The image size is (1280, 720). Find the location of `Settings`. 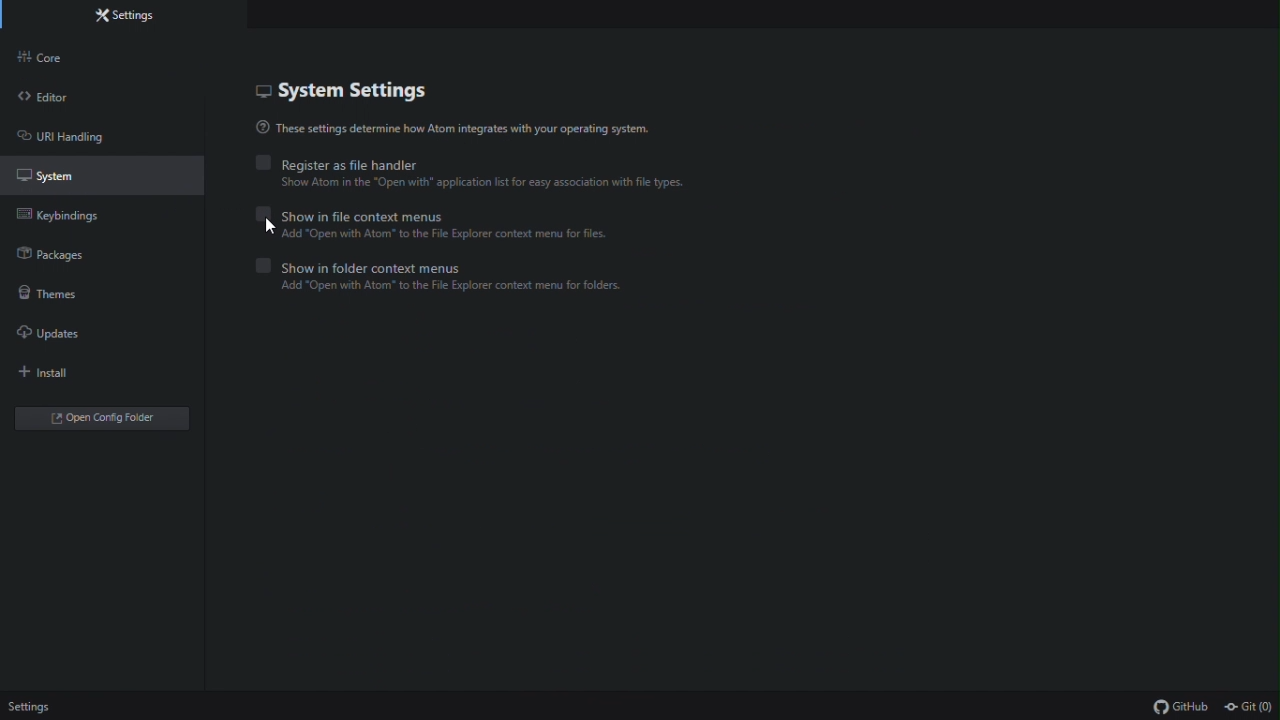

Settings is located at coordinates (135, 15).